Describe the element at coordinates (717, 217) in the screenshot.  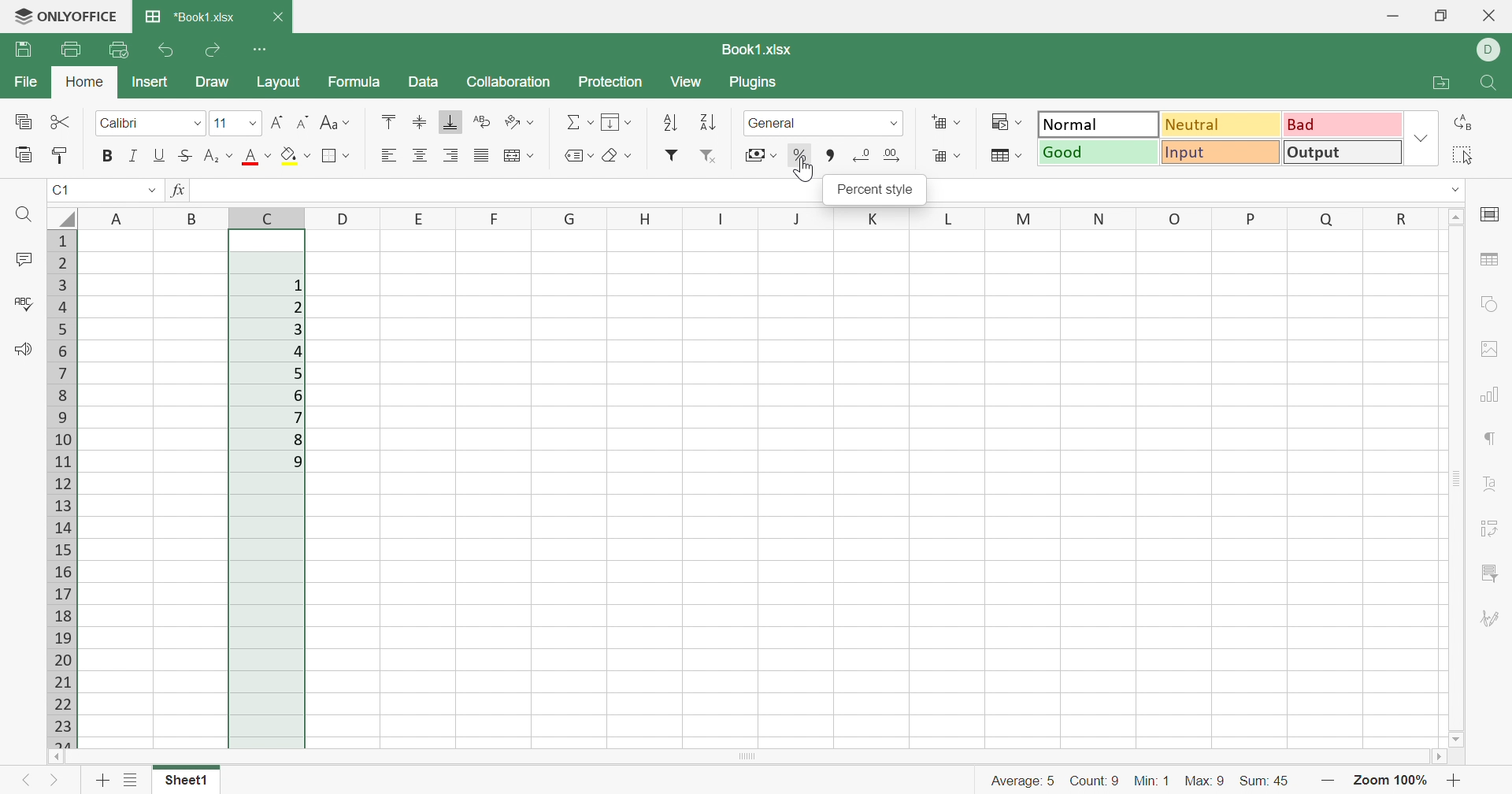
I see `I` at that location.